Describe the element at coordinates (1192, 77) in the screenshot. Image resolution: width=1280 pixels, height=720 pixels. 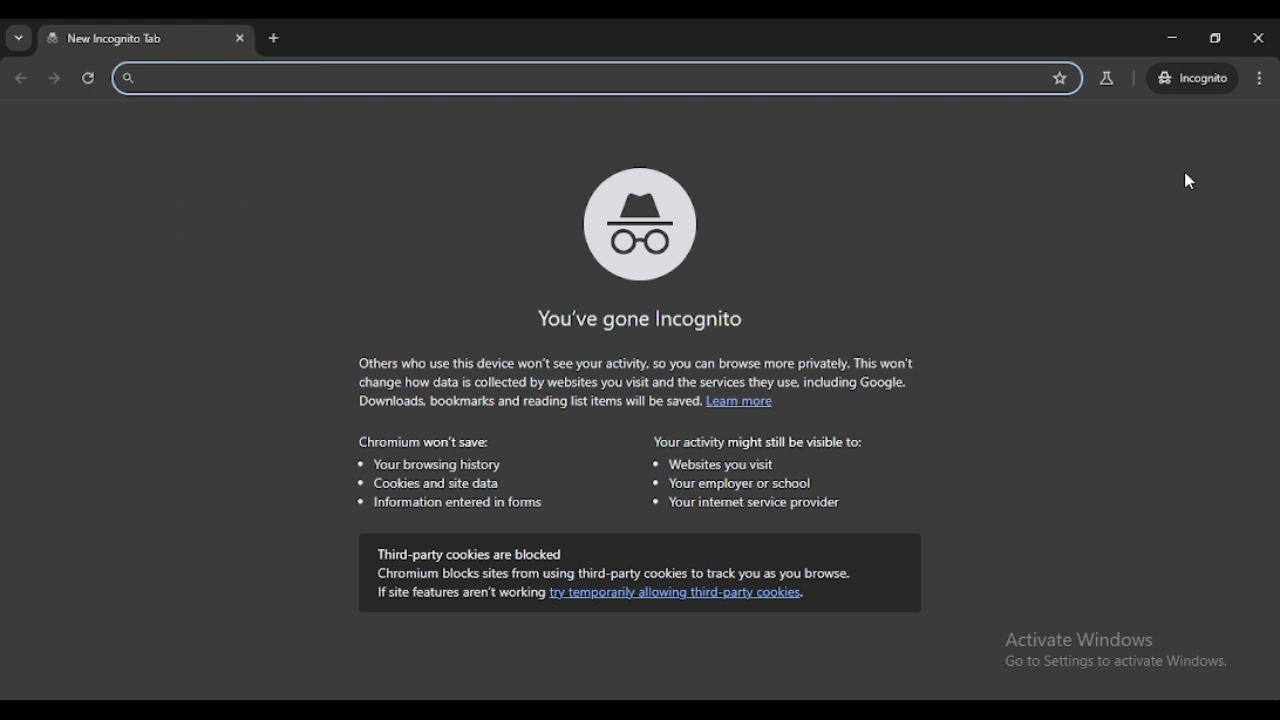
I see `incognito` at that location.